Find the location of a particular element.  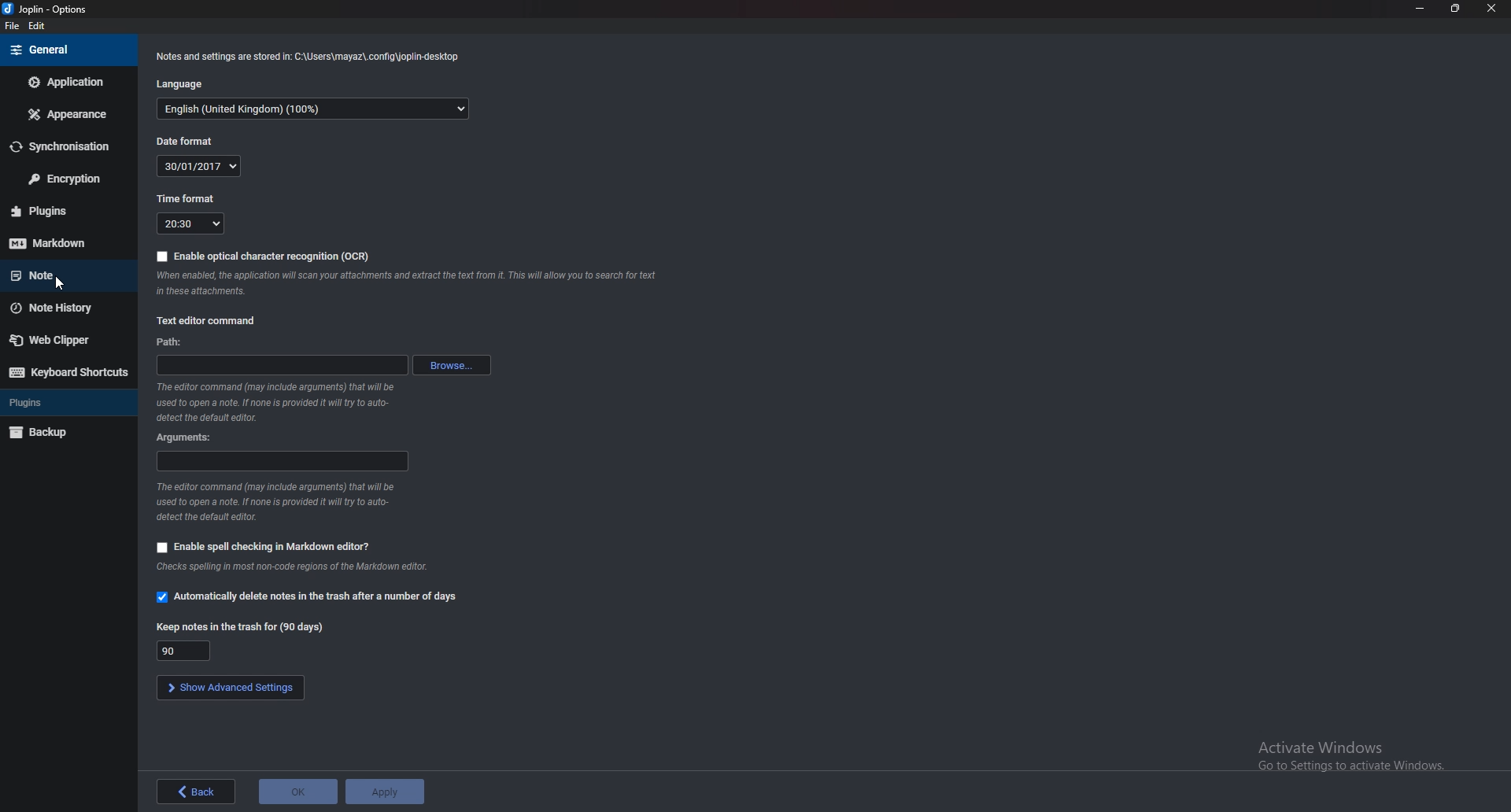

Back up is located at coordinates (65, 433).